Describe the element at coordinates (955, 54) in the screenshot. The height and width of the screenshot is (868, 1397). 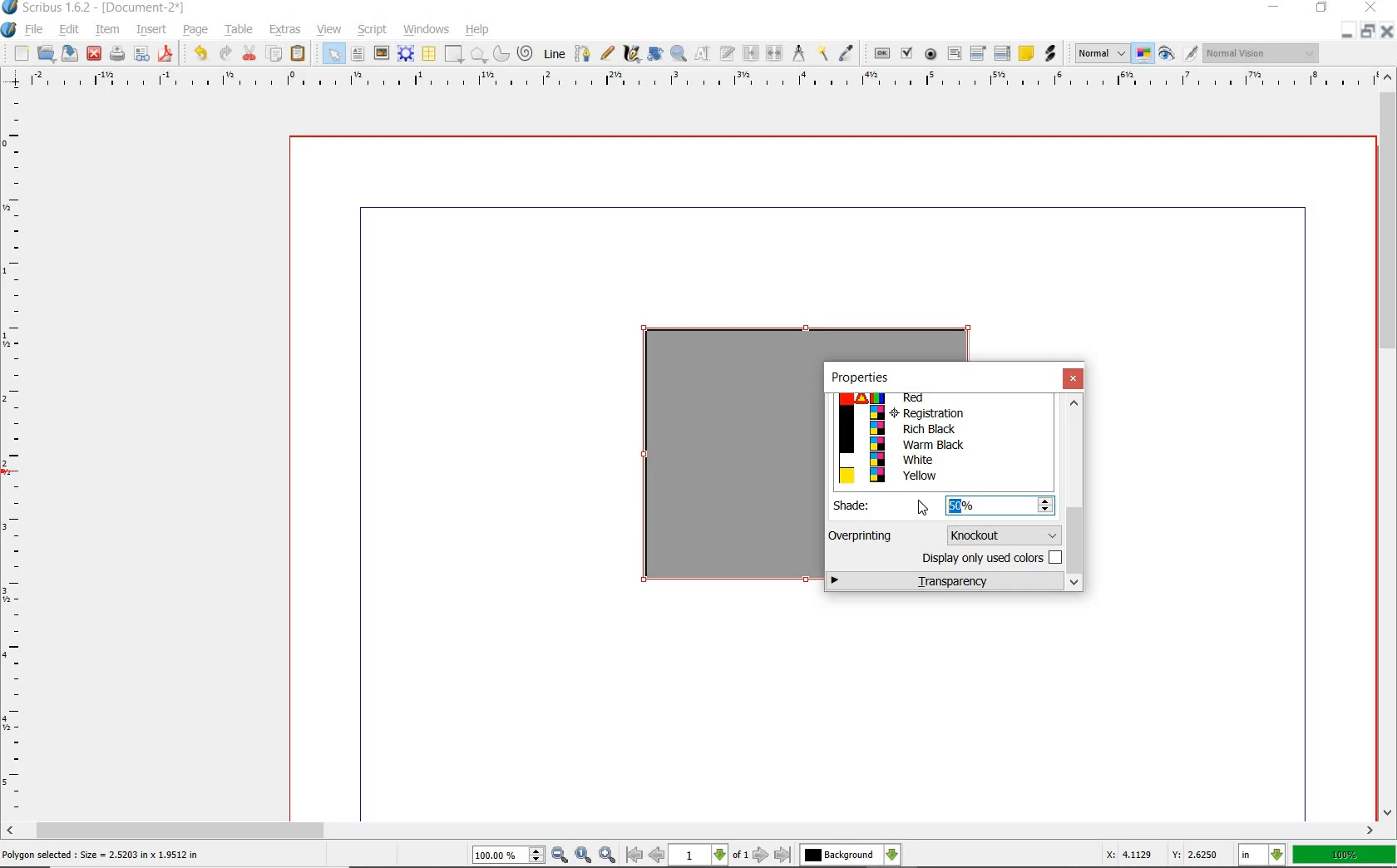
I see `pdf text field` at that location.